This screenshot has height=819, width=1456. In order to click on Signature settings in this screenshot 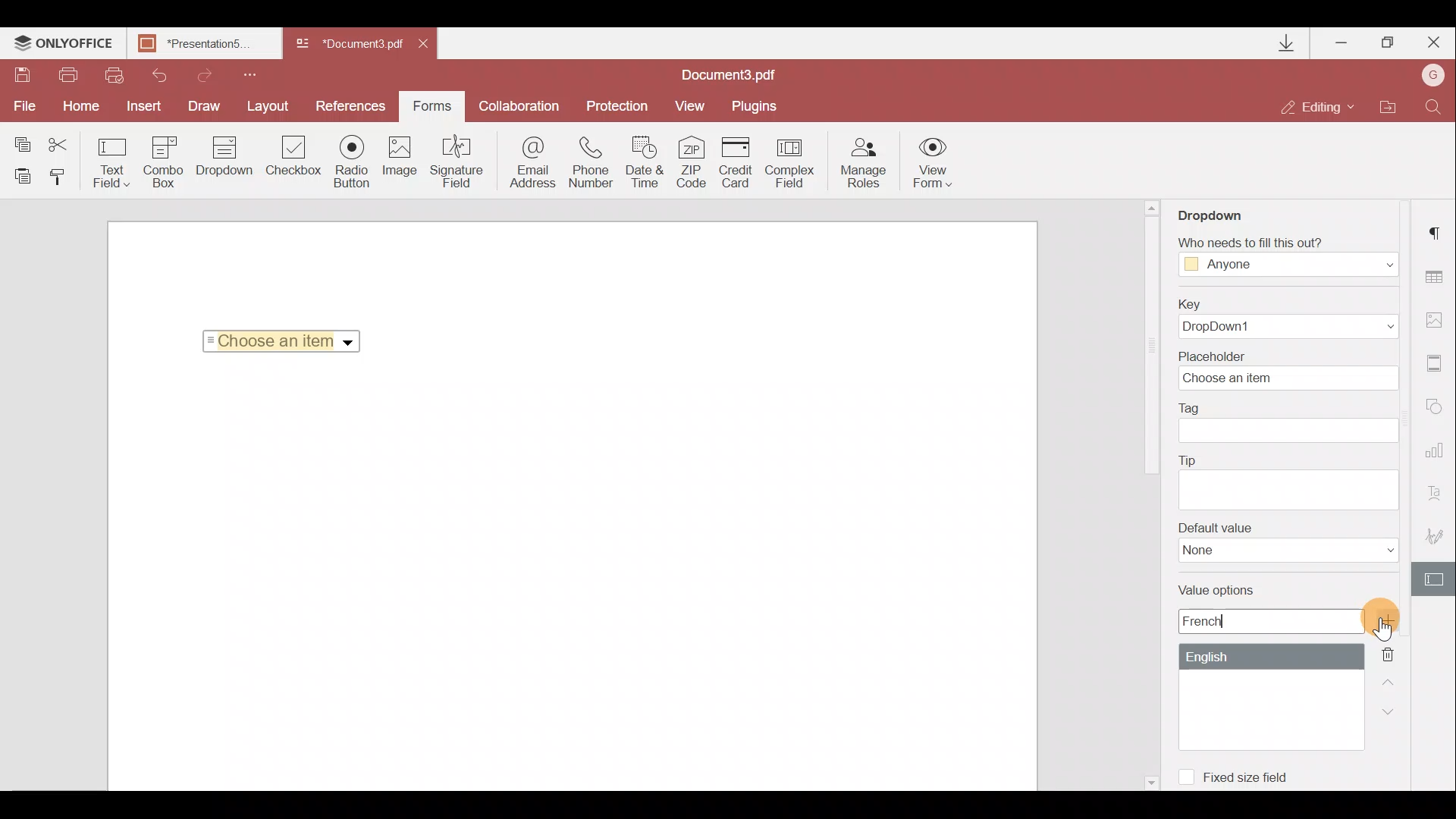, I will do `click(1438, 540)`.